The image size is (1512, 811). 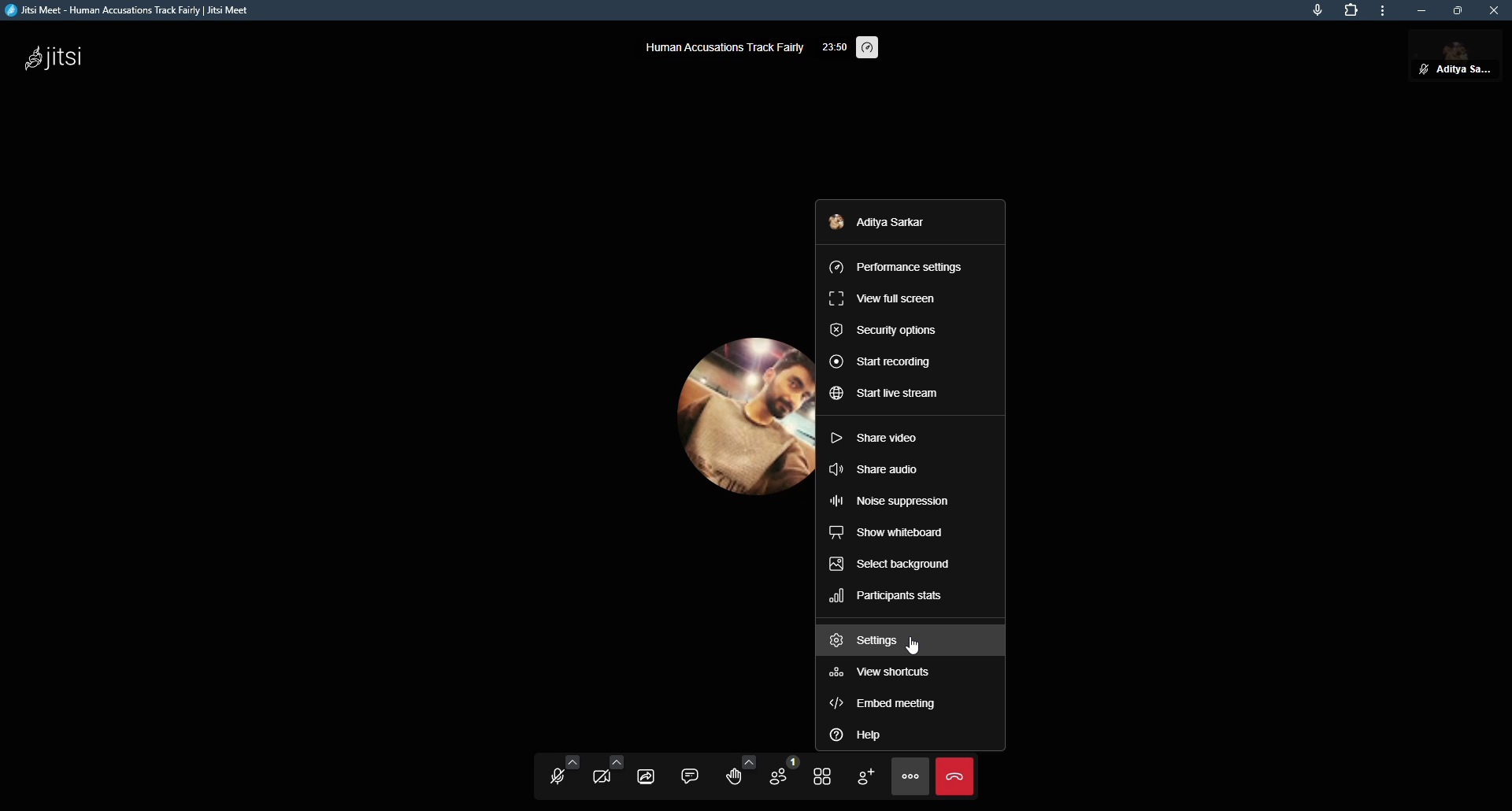 I want to click on view shortcuts, so click(x=884, y=675).